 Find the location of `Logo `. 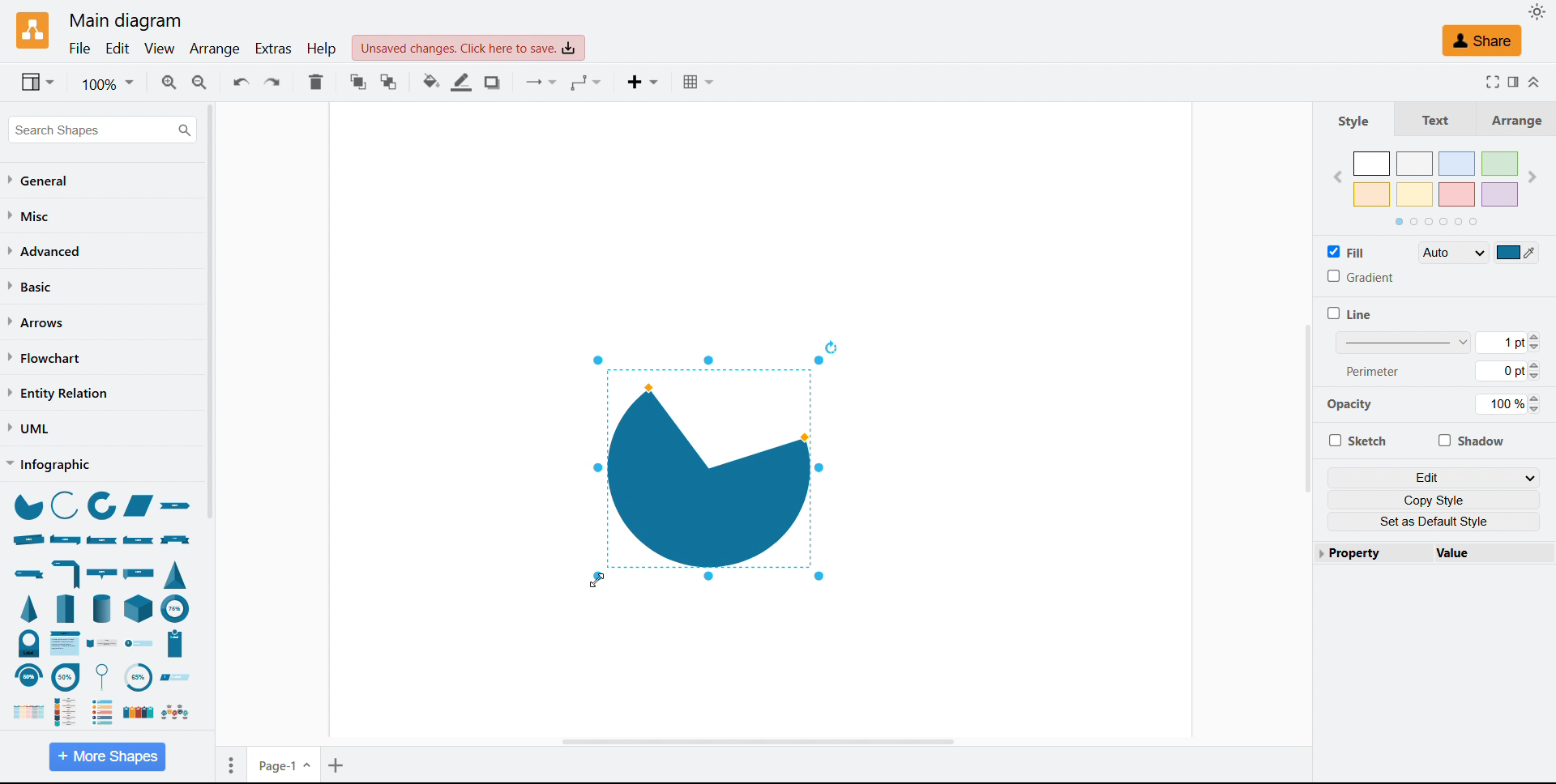

Logo  is located at coordinates (34, 32).